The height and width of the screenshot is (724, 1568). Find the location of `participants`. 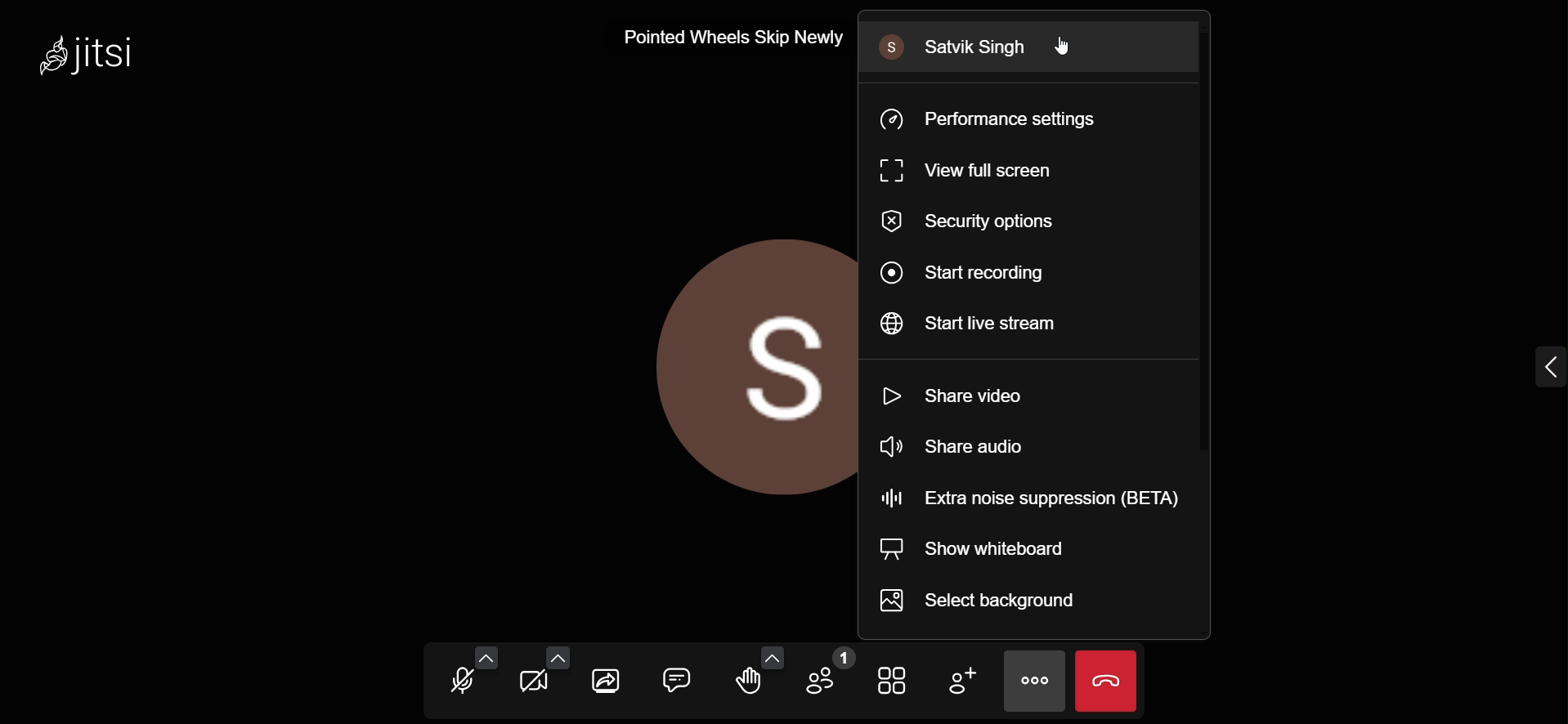

participants is located at coordinates (827, 678).